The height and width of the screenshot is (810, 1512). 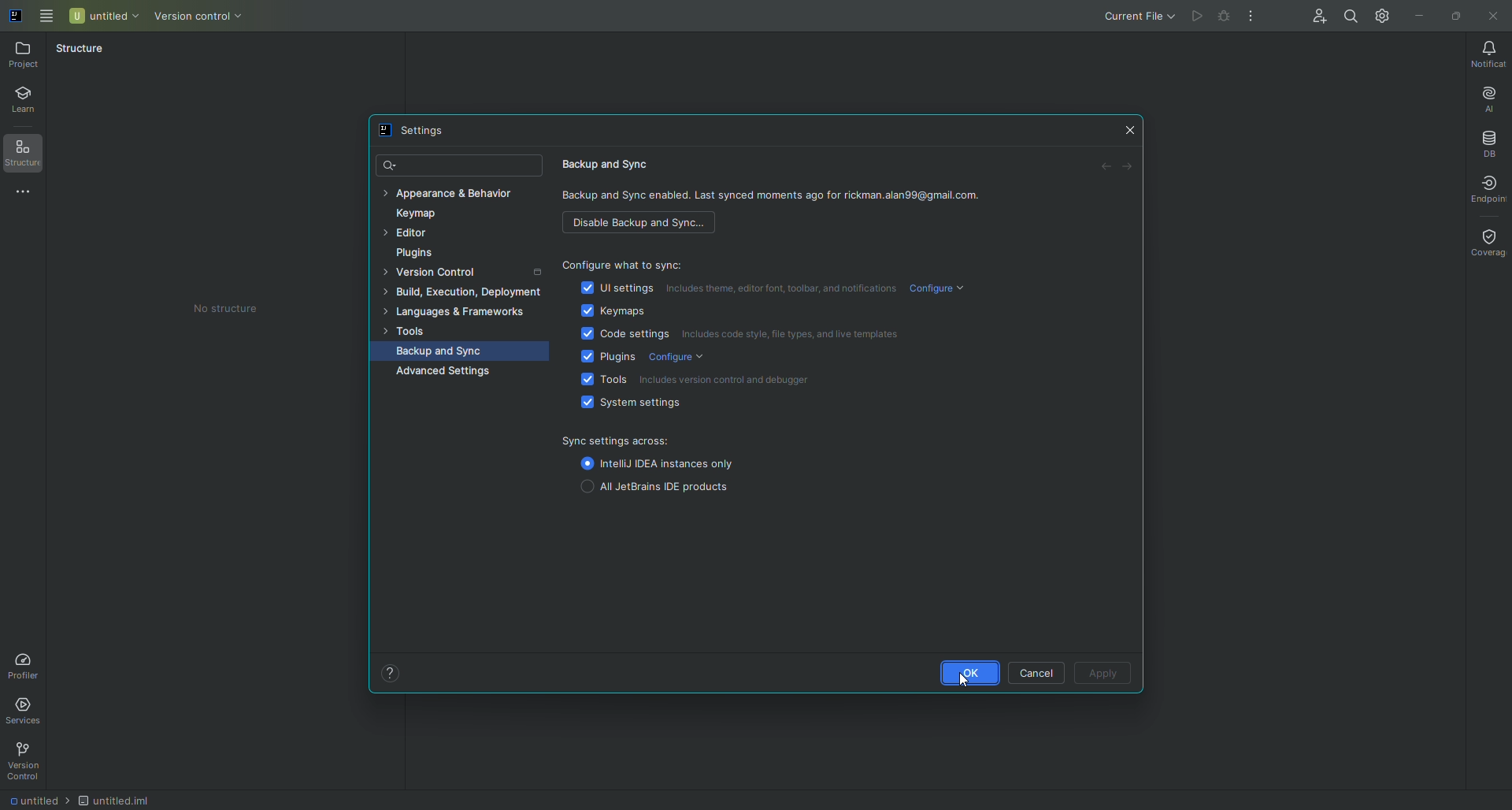 What do you see at coordinates (419, 255) in the screenshot?
I see `Plugins` at bounding box center [419, 255].